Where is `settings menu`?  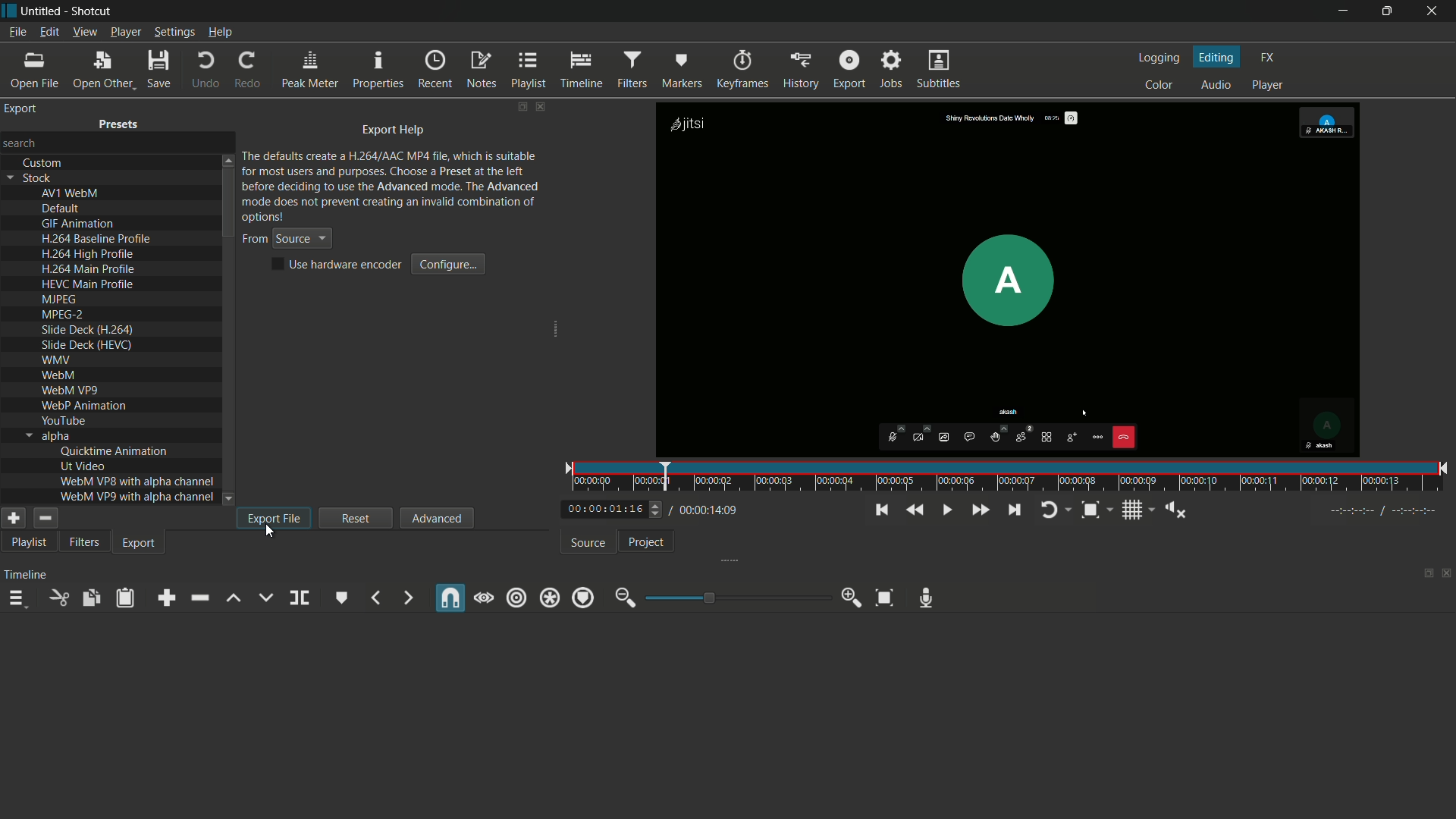
settings menu is located at coordinates (174, 33).